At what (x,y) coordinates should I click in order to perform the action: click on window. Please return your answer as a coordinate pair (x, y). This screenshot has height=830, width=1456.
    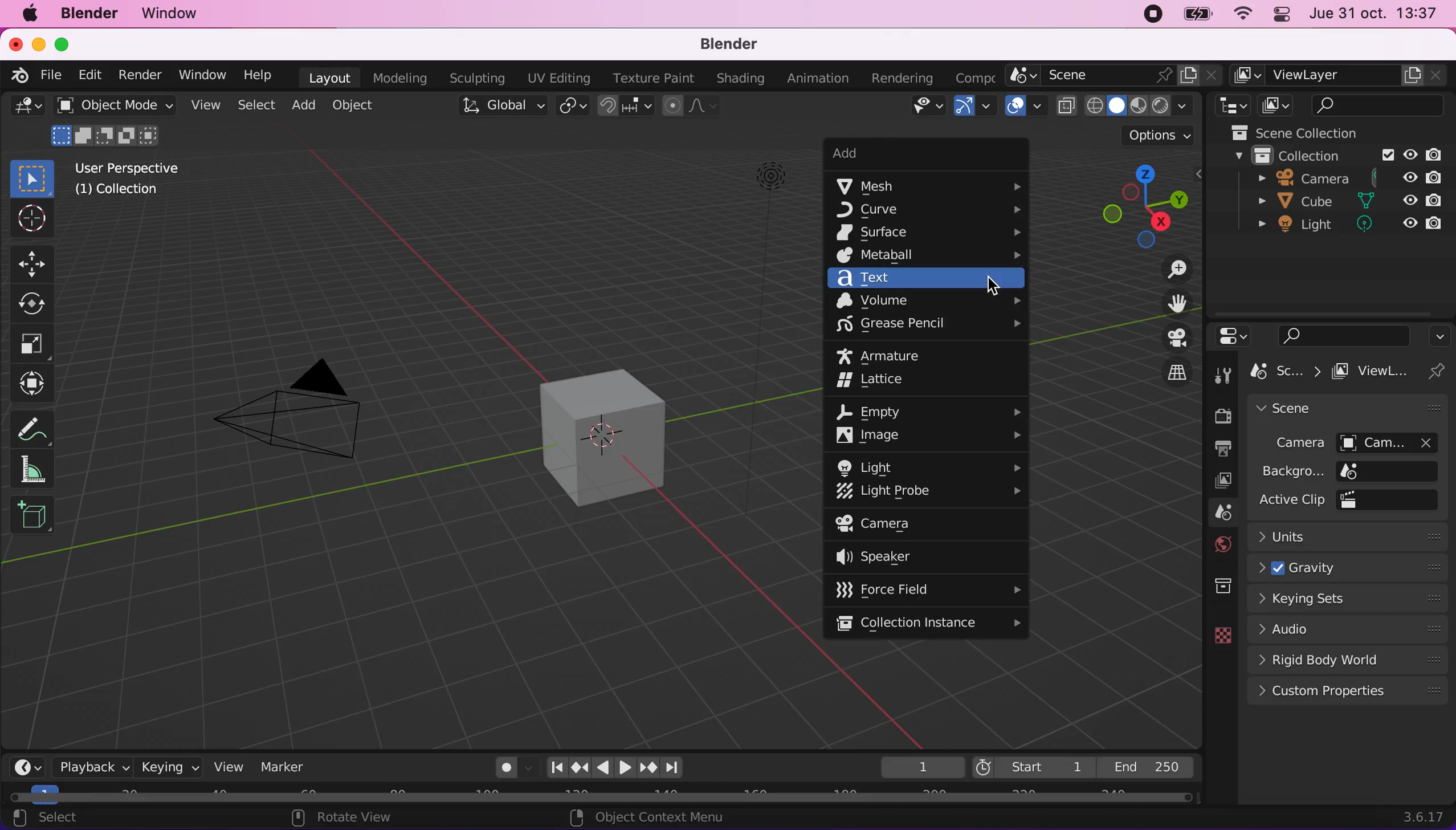
    Looking at the image, I should click on (201, 73).